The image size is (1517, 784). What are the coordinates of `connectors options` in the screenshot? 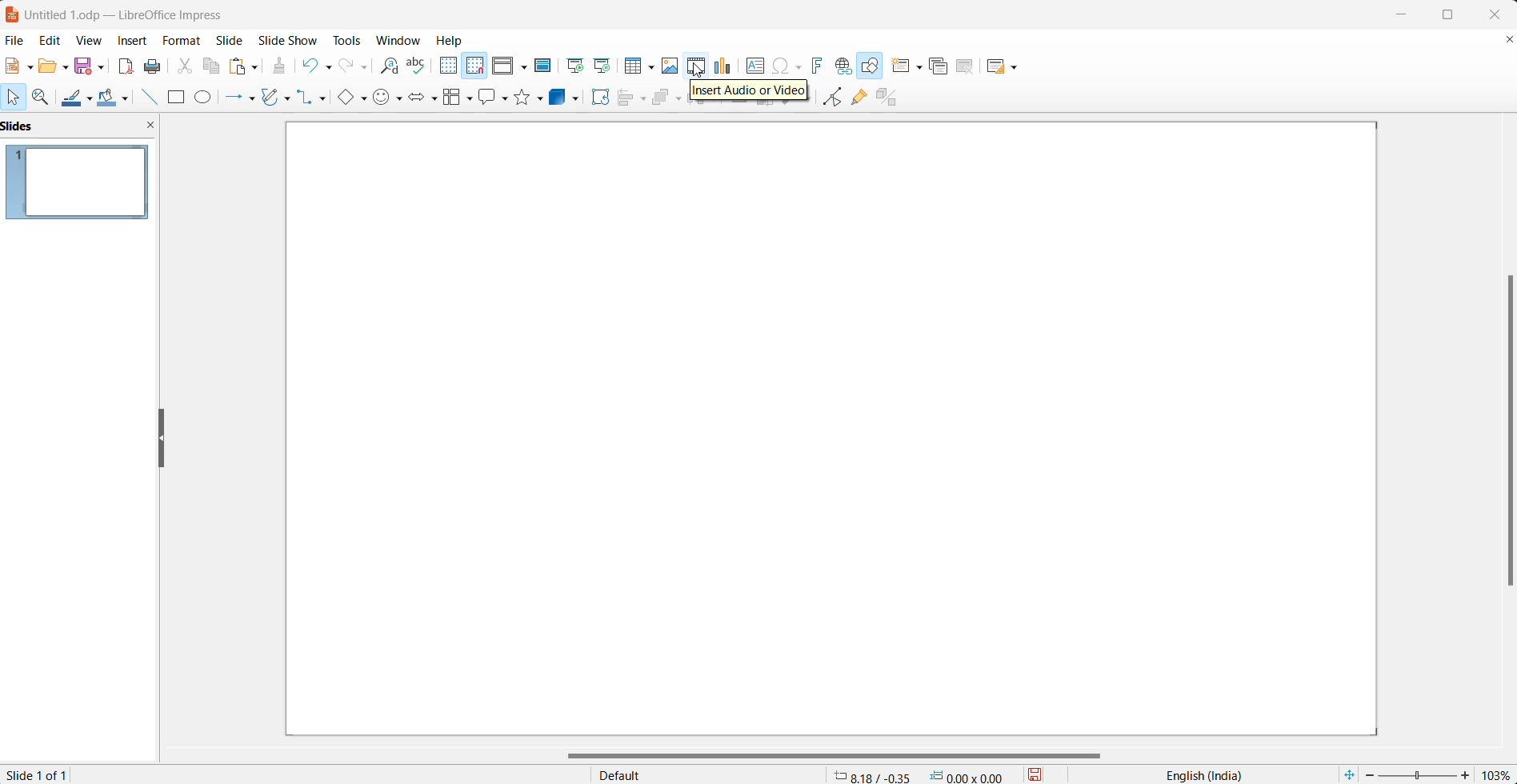 It's located at (324, 99).